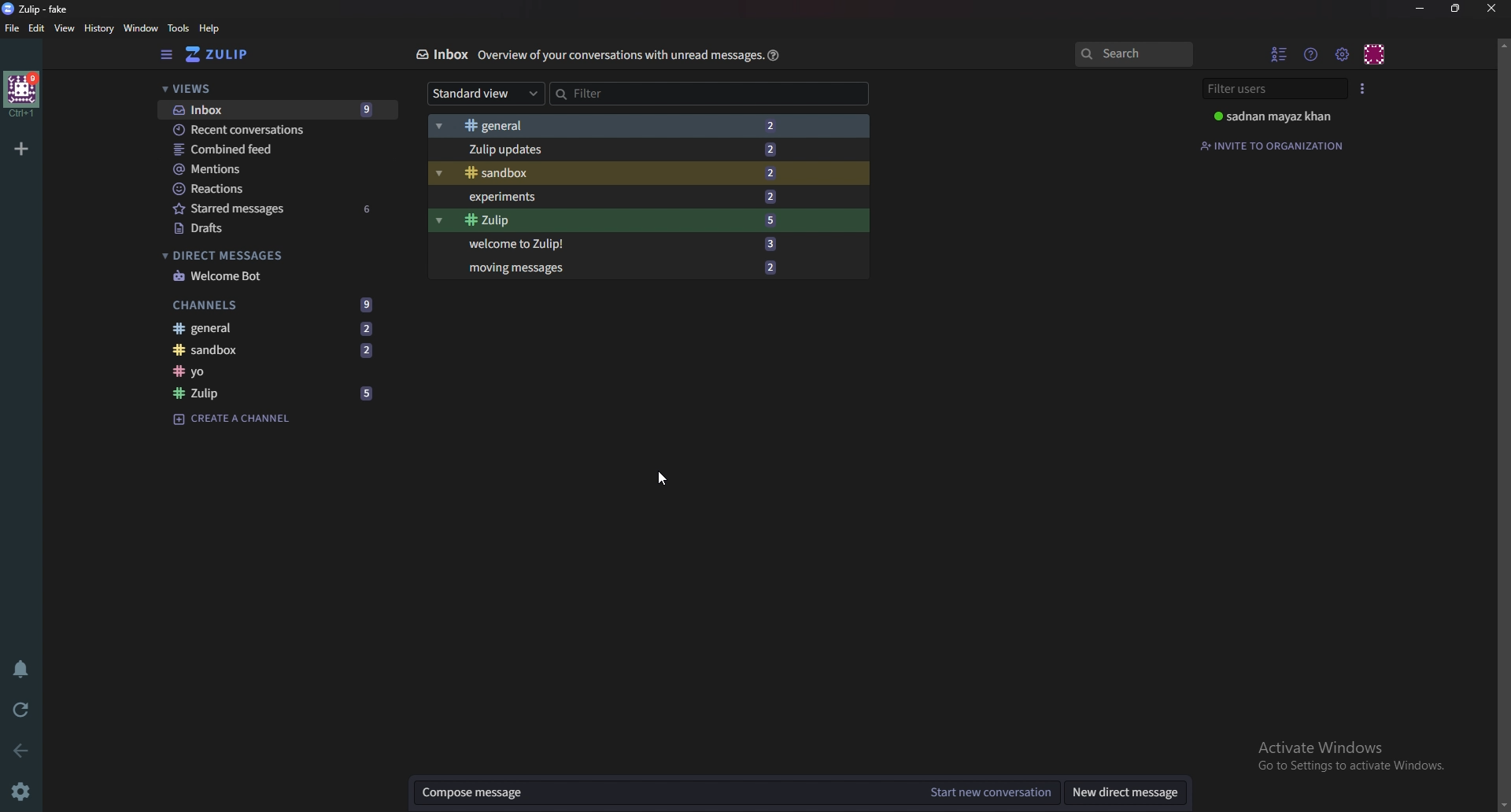  Describe the element at coordinates (65, 29) in the screenshot. I see `view` at that location.